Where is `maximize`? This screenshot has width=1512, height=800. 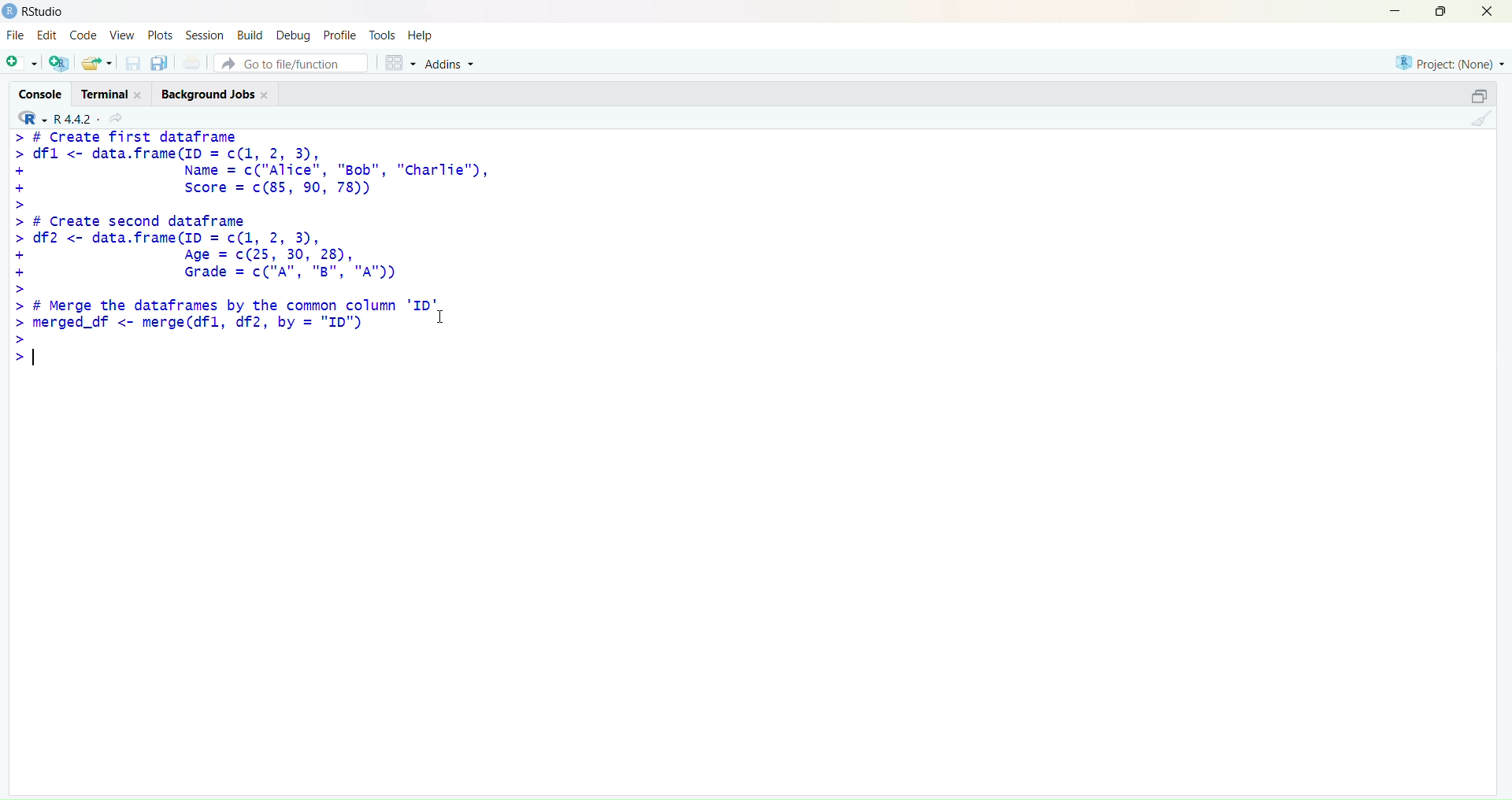 maximize is located at coordinates (1441, 9).